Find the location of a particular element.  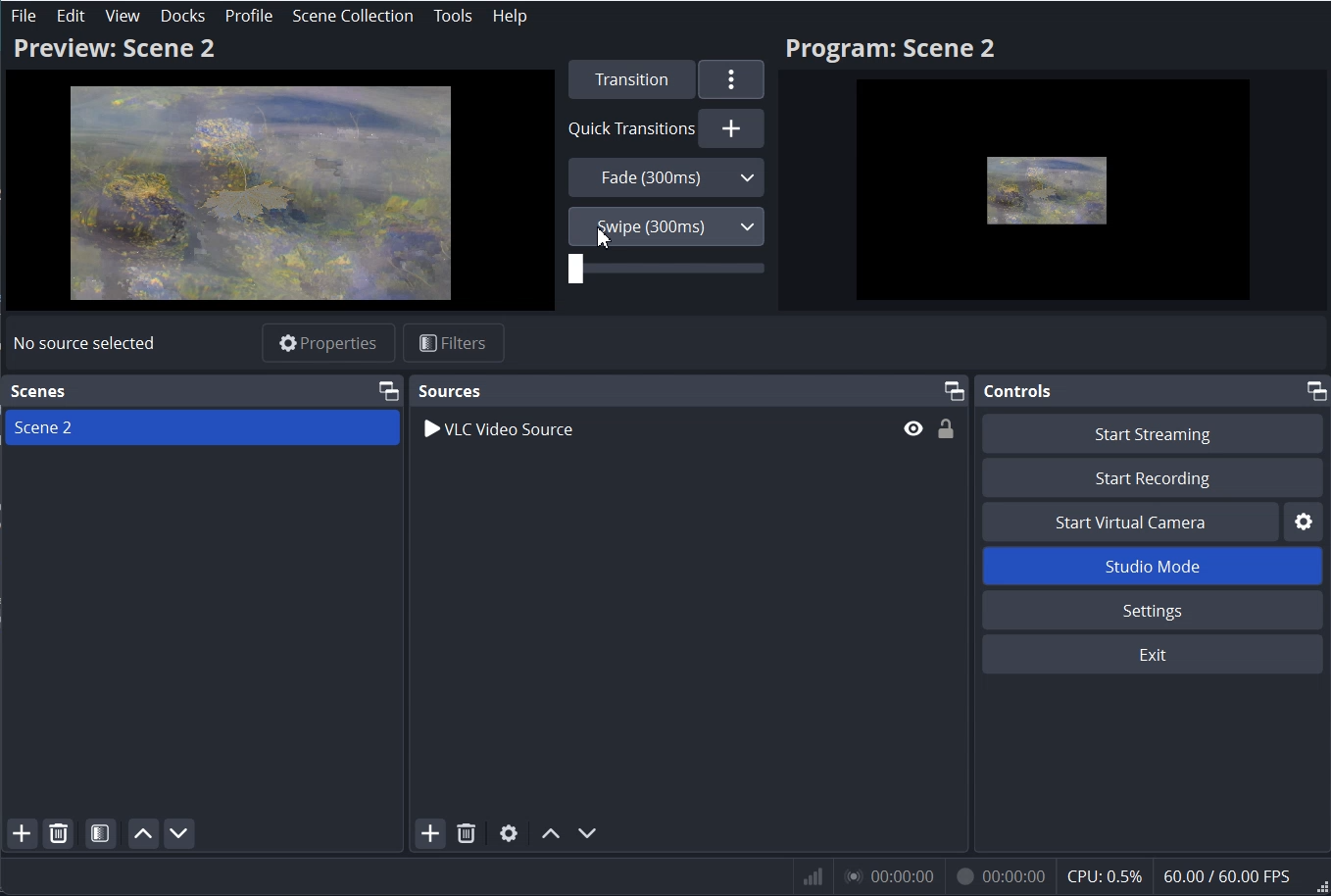

Settings is located at coordinates (1306, 521).